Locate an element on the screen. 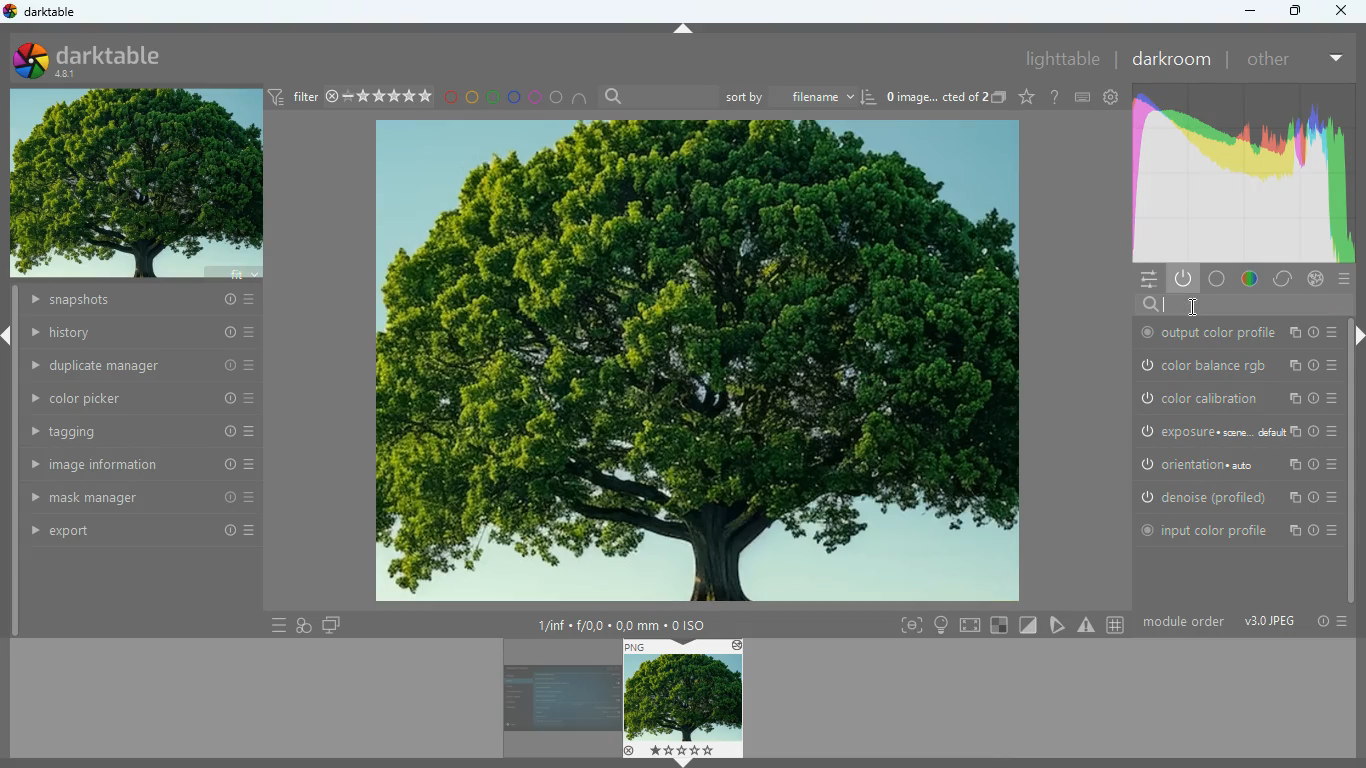 Image resolution: width=1366 pixels, height=768 pixels. pink is located at coordinates (538, 98).